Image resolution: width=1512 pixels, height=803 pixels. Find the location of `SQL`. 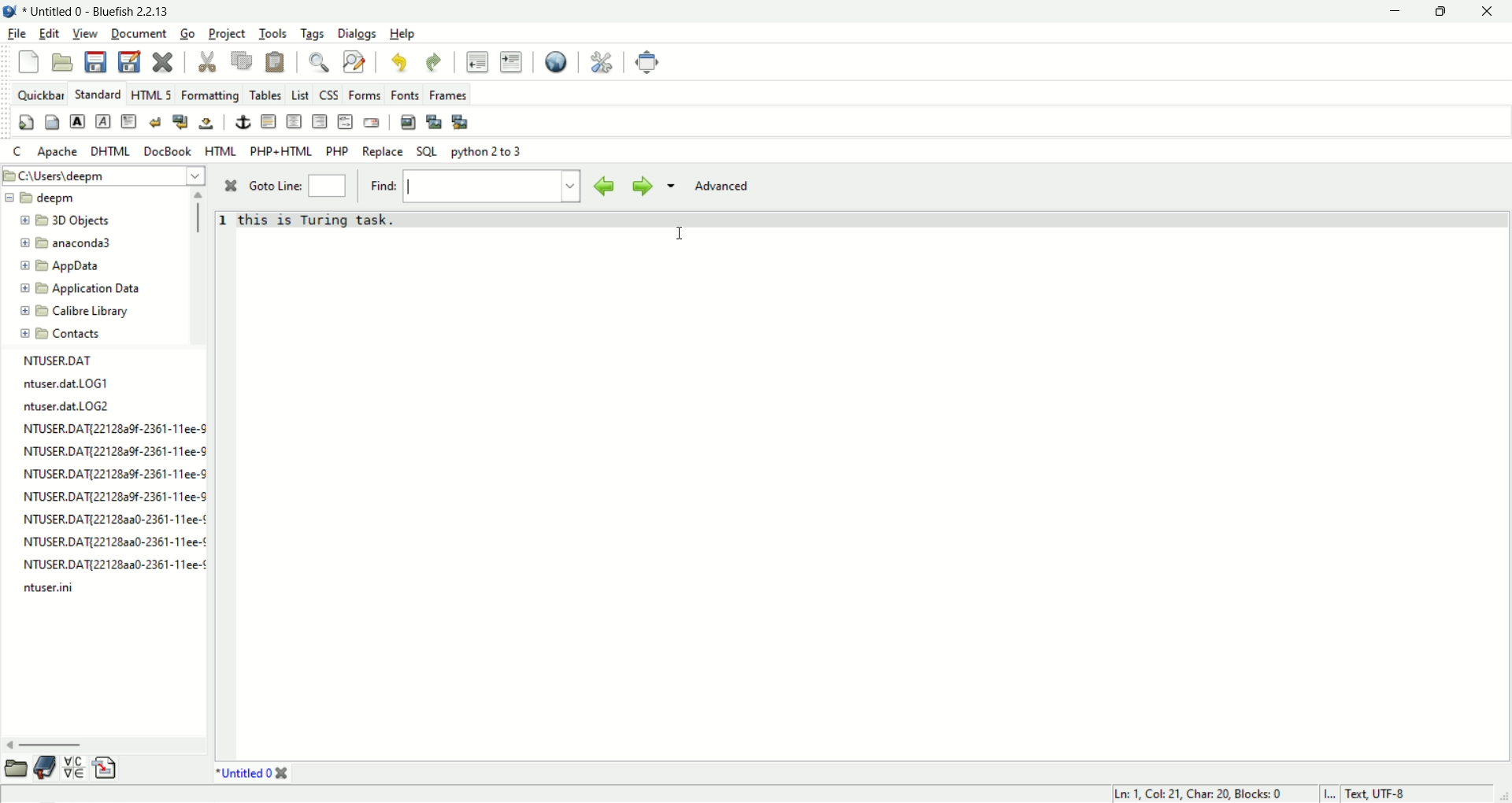

SQL is located at coordinates (428, 151).